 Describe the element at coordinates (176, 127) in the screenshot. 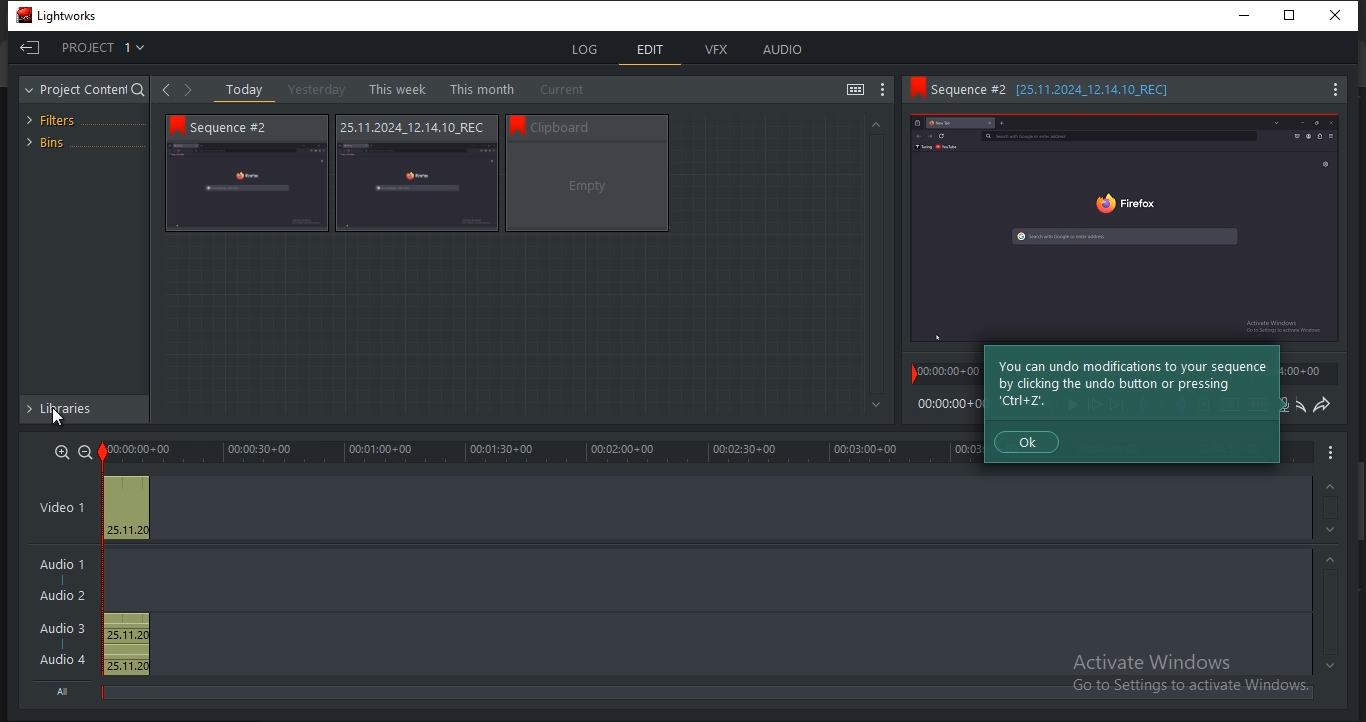

I see `bookmark` at that location.